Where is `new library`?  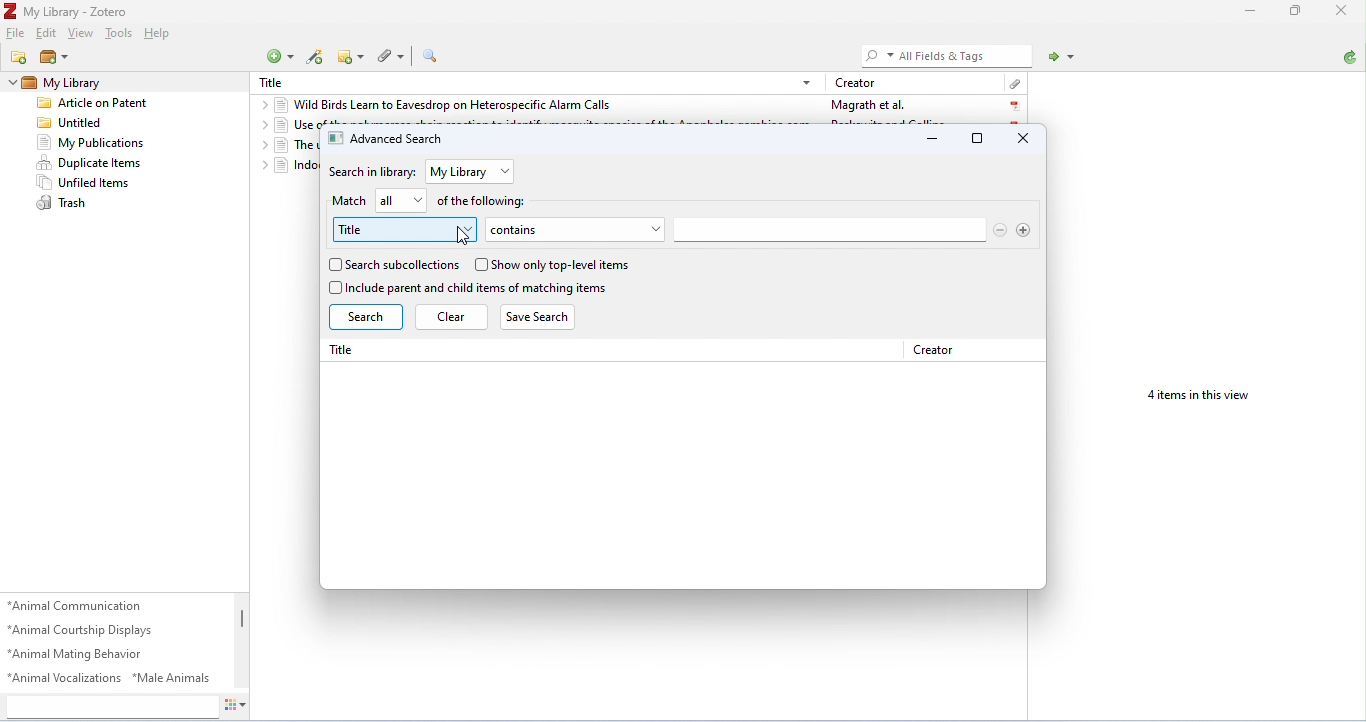
new library is located at coordinates (56, 59).